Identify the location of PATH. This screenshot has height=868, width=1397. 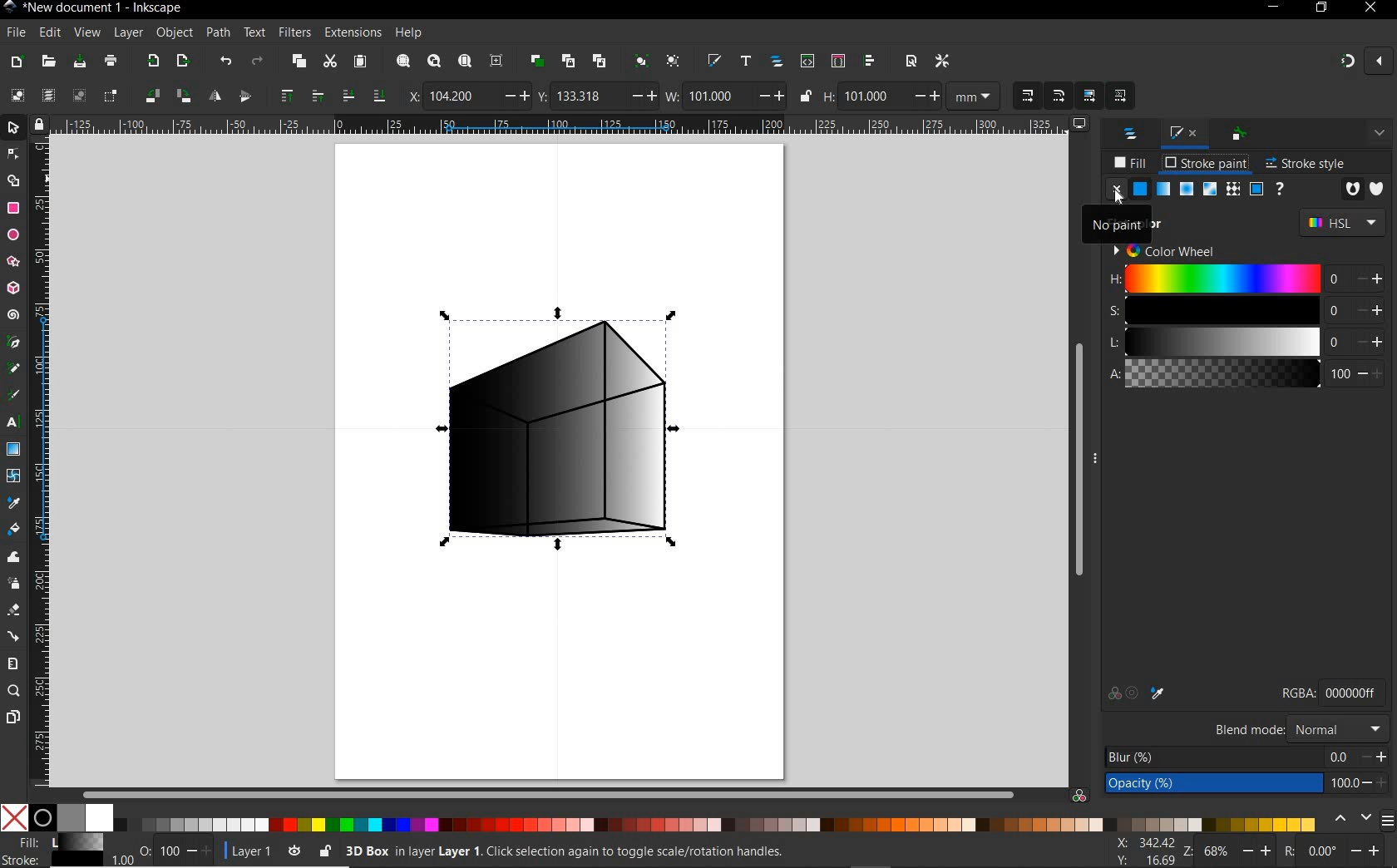
(216, 33).